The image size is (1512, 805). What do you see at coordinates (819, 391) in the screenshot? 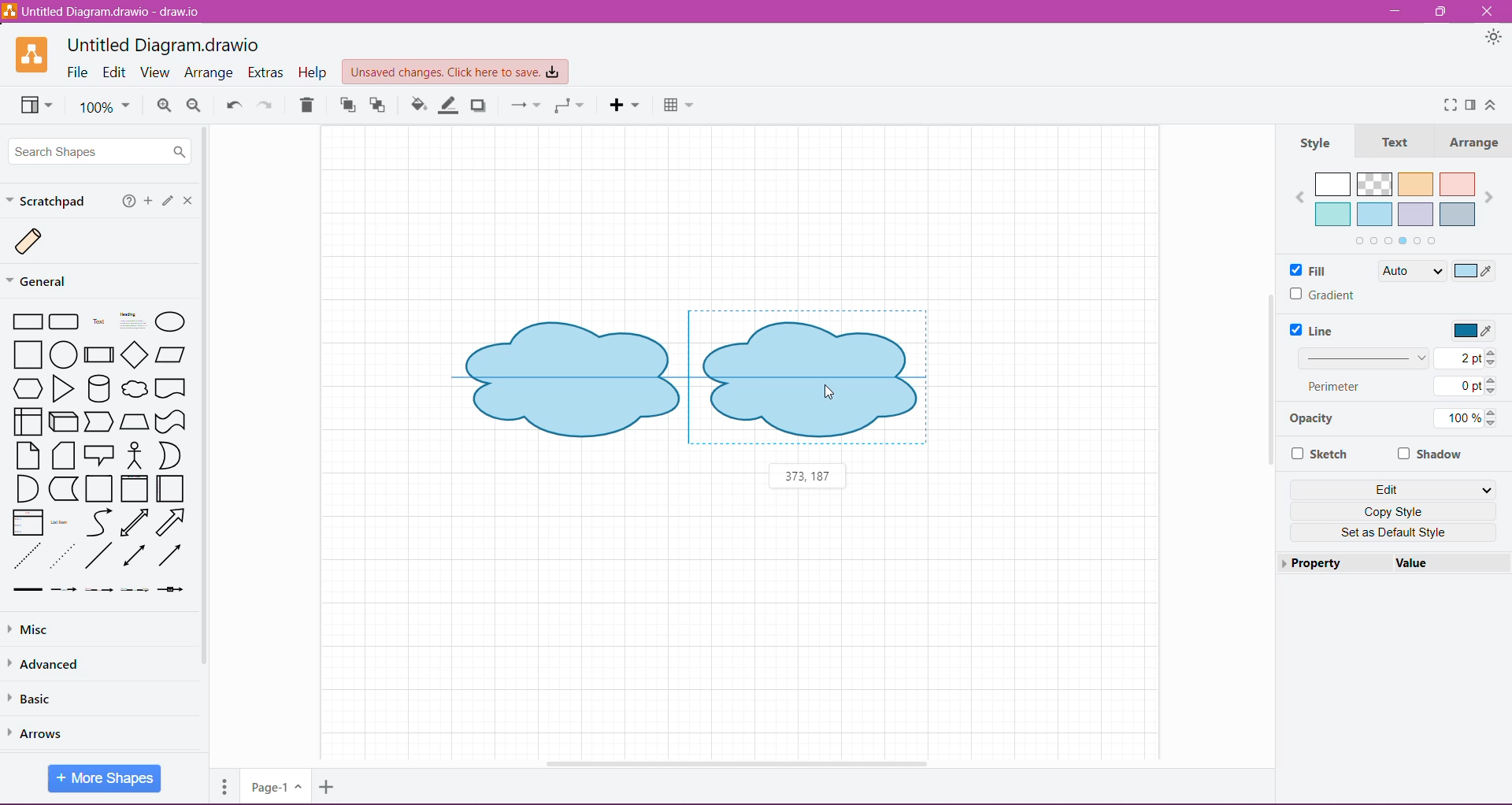
I see `Cursor` at bounding box center [819, 391].